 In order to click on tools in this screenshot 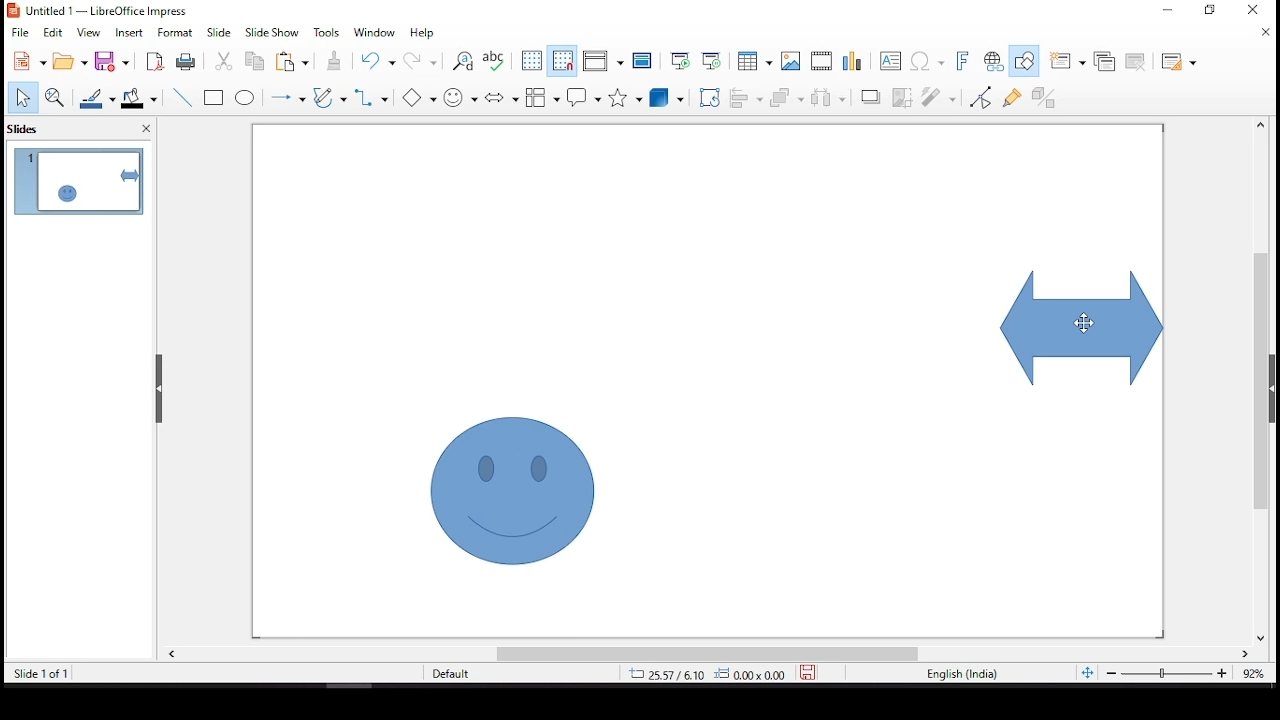, I will do `click(327, 33)`.